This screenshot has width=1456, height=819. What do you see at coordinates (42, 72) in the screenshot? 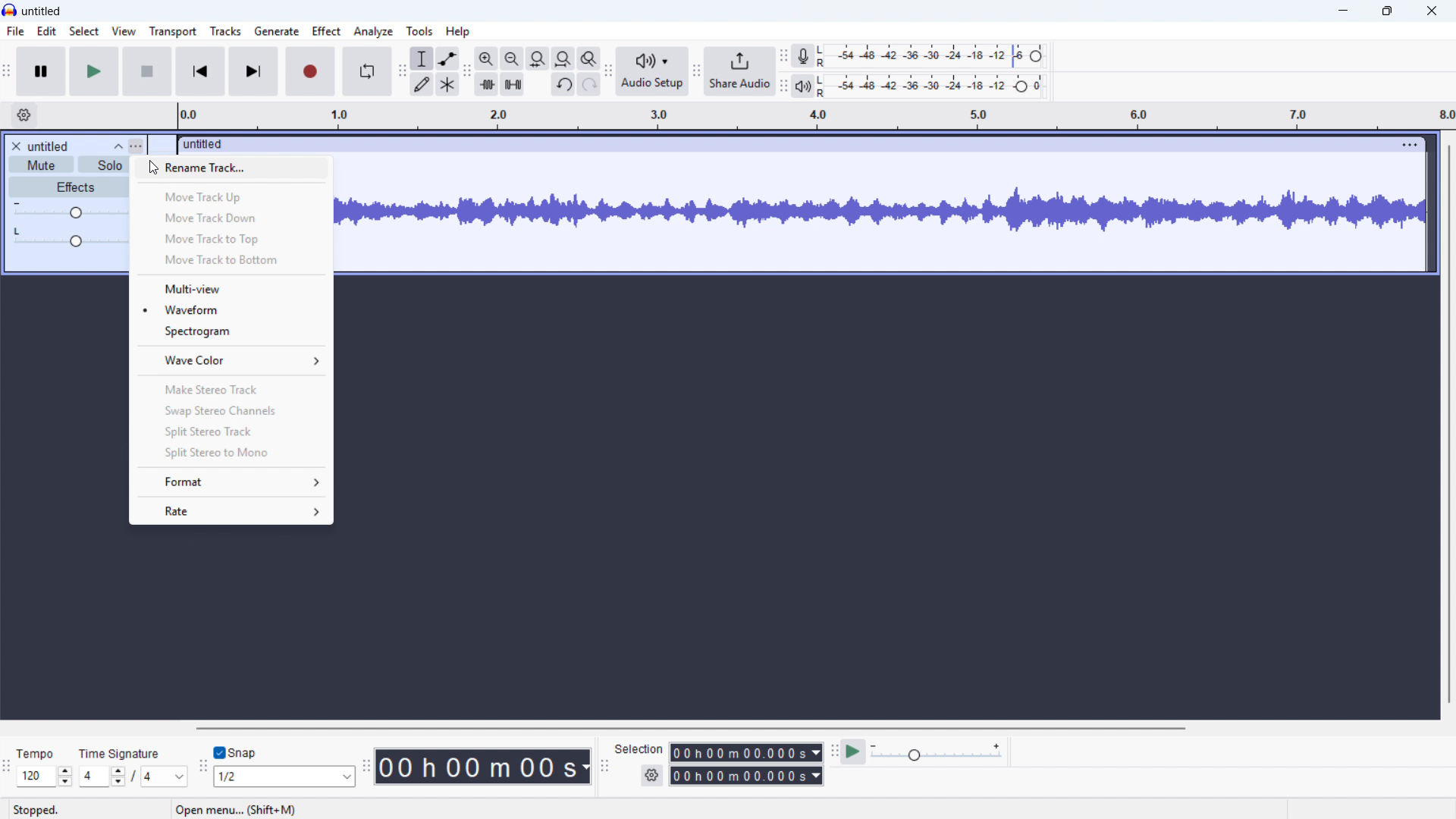
I see `Pause ` at bounding box center [42, 72].